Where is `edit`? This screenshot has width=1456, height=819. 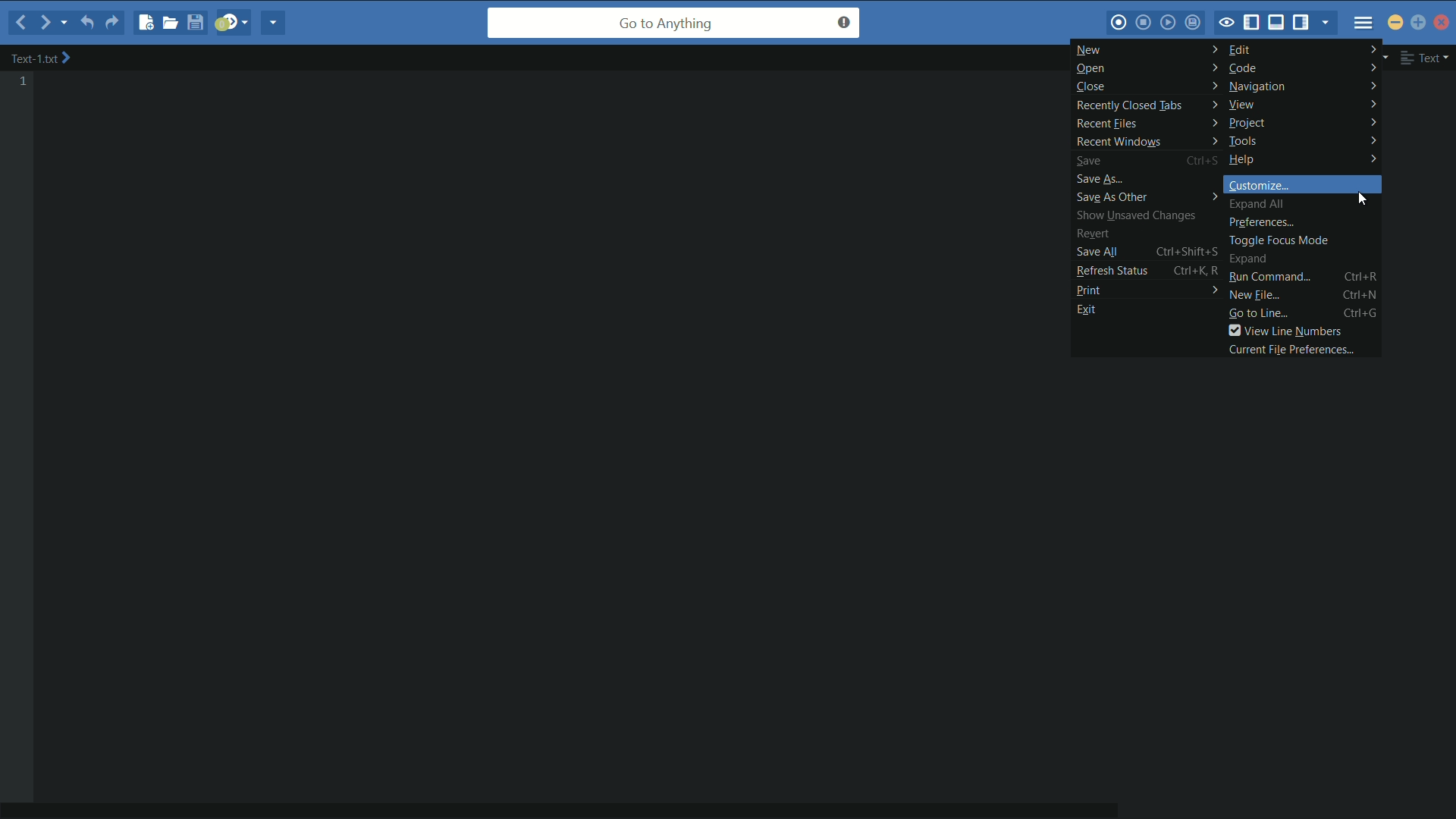 edit is located at coordinates (1301, 49).